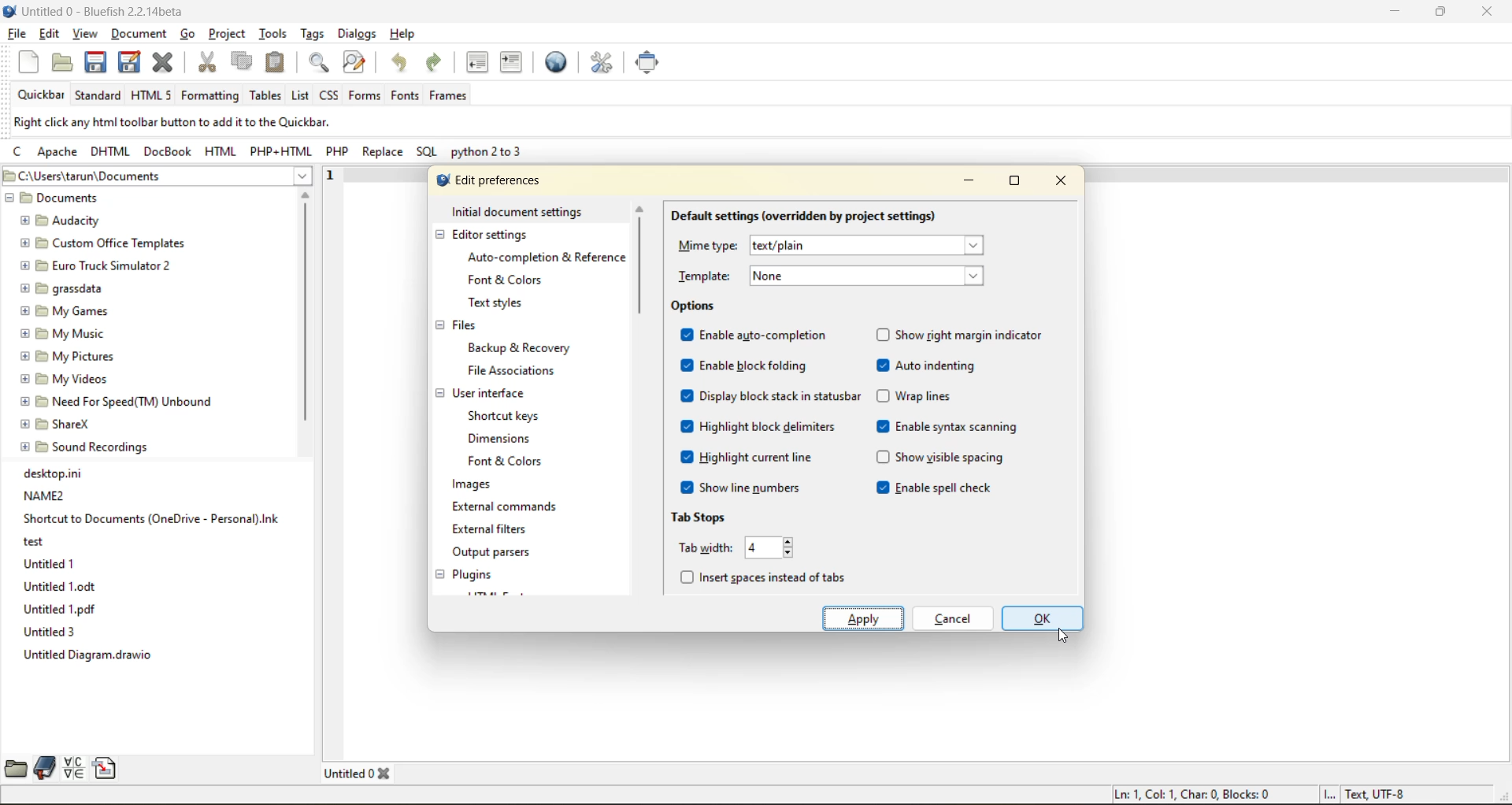  What do you see at coordinates (495, 530) in the screenshot?
I see `external filters` at bounding box center [495, 530].